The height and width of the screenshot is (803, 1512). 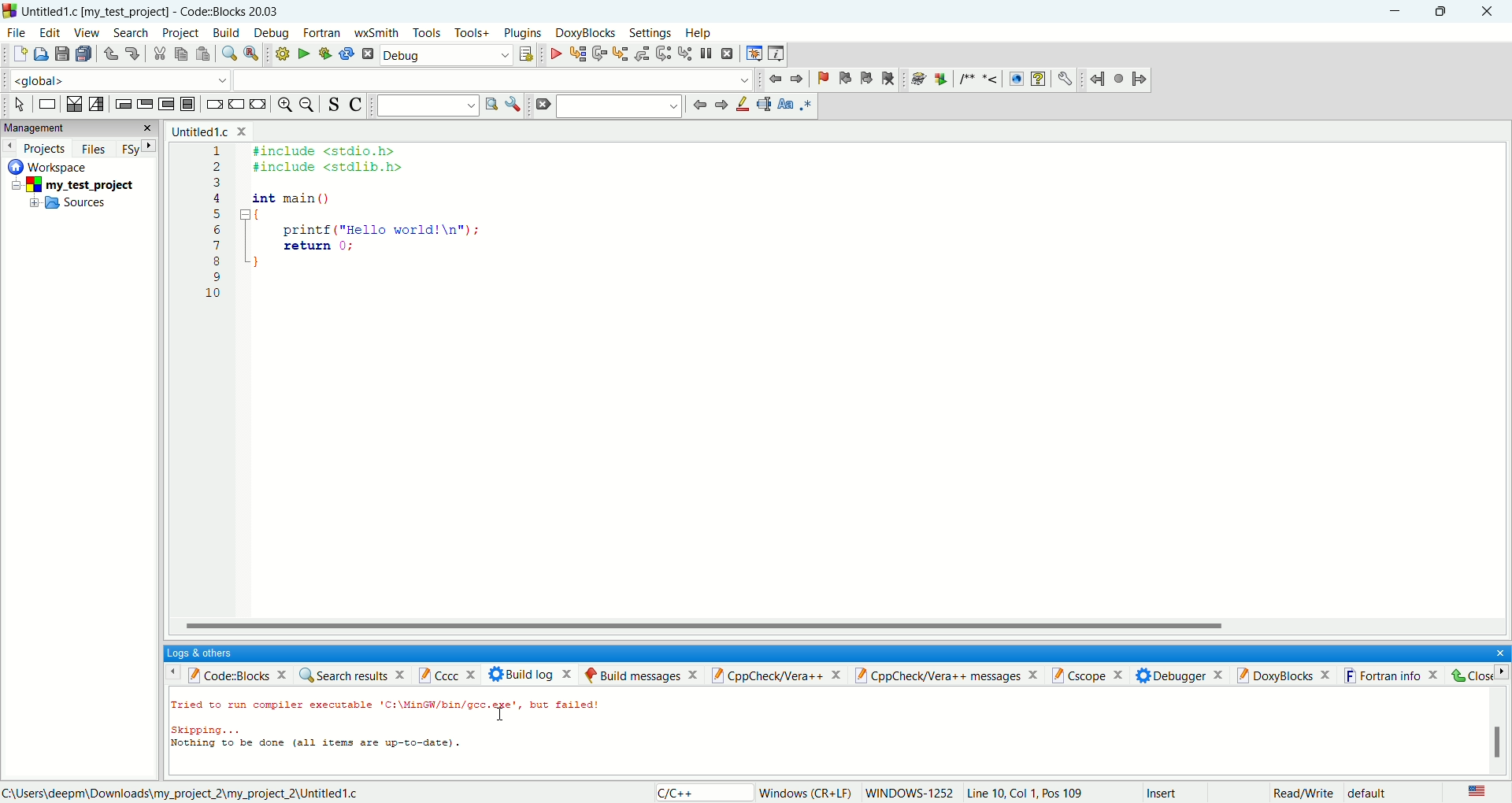 I want to click on next instruction, so click(x=664, y=53).